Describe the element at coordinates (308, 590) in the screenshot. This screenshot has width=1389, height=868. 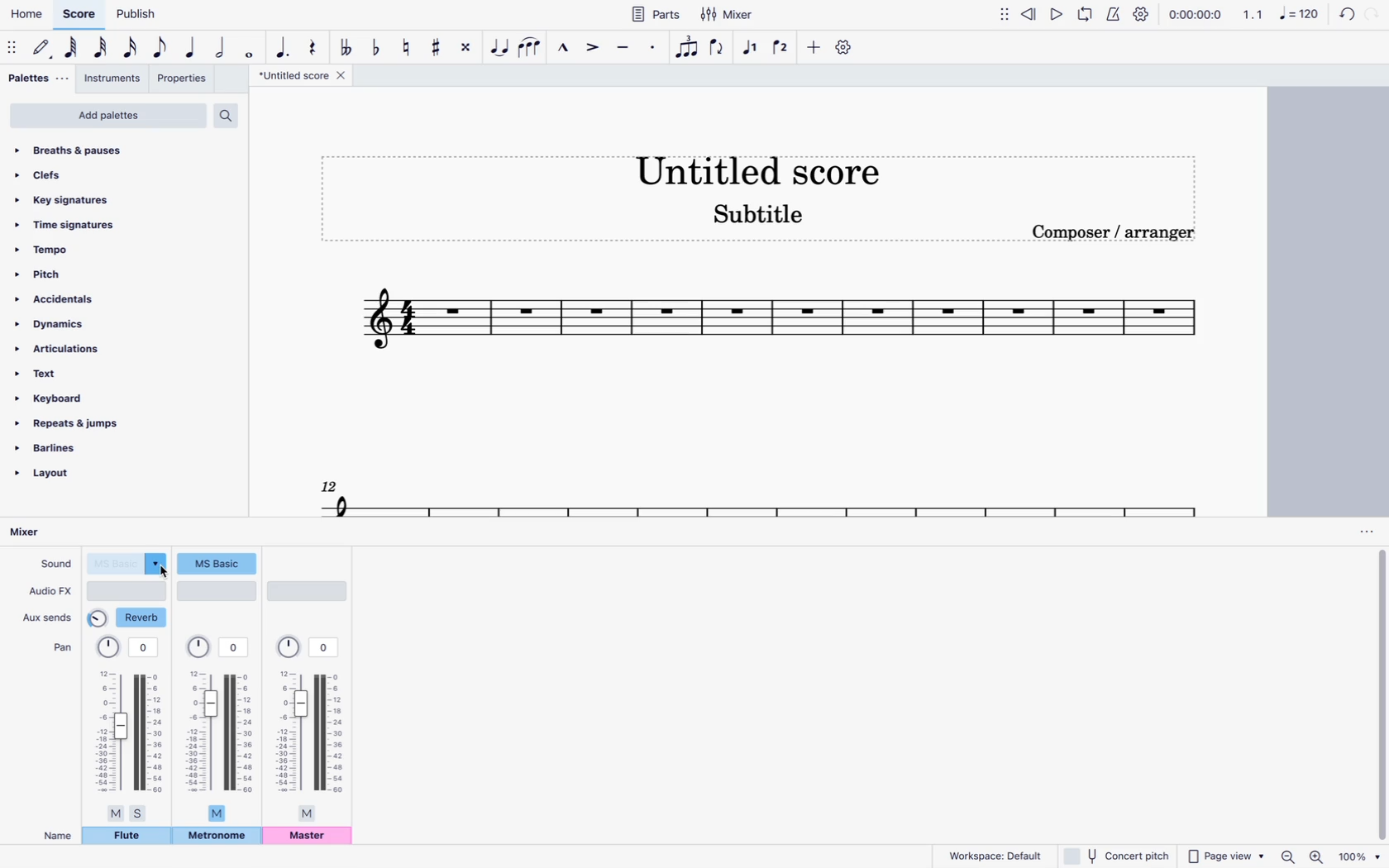
I see `audio type` at that location.